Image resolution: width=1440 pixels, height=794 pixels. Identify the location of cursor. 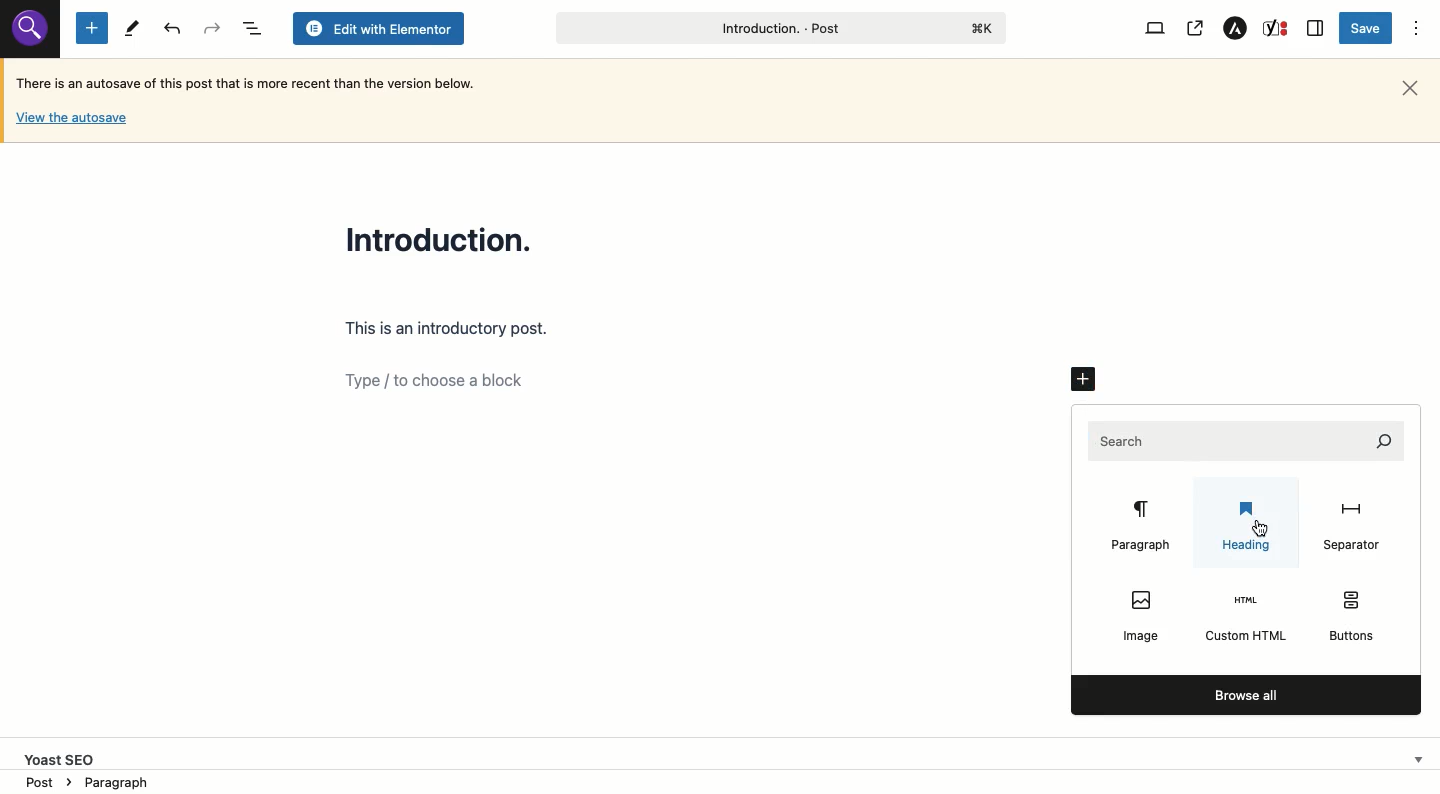
(1260, 528).